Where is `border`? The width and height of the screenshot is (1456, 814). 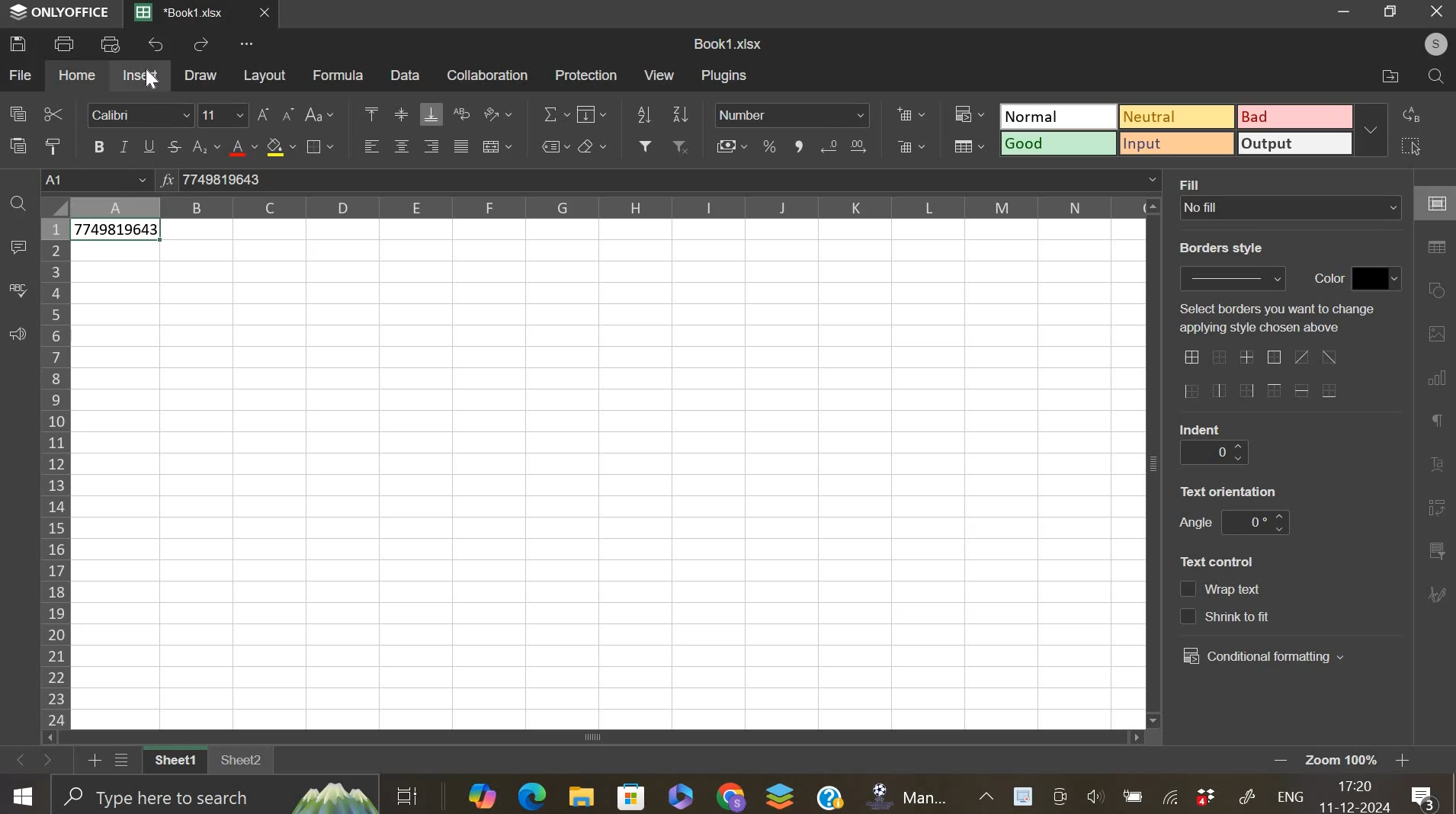
border is located at coordinates (1259, 376).